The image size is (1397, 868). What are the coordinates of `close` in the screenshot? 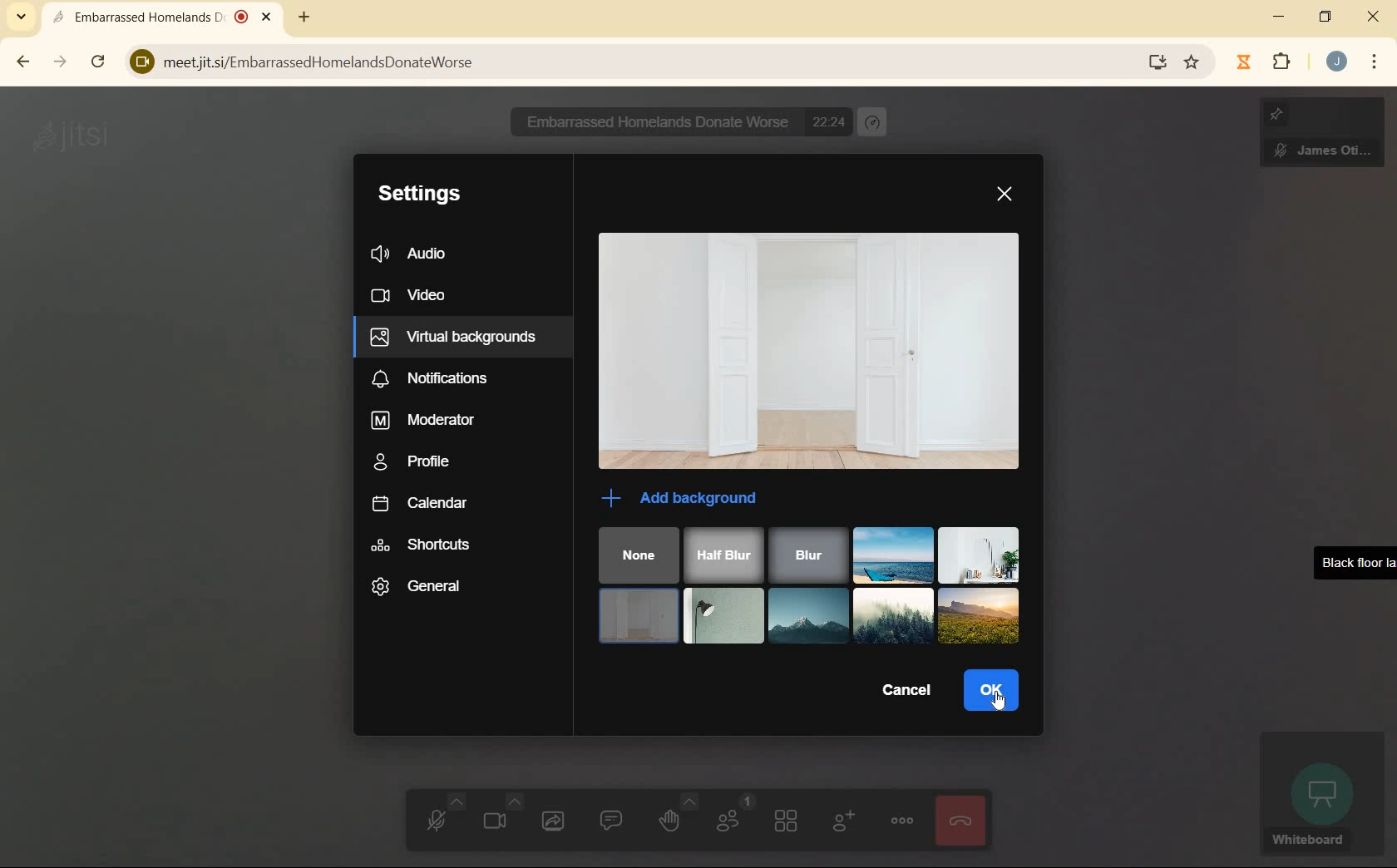 It's located at (1372, 17).